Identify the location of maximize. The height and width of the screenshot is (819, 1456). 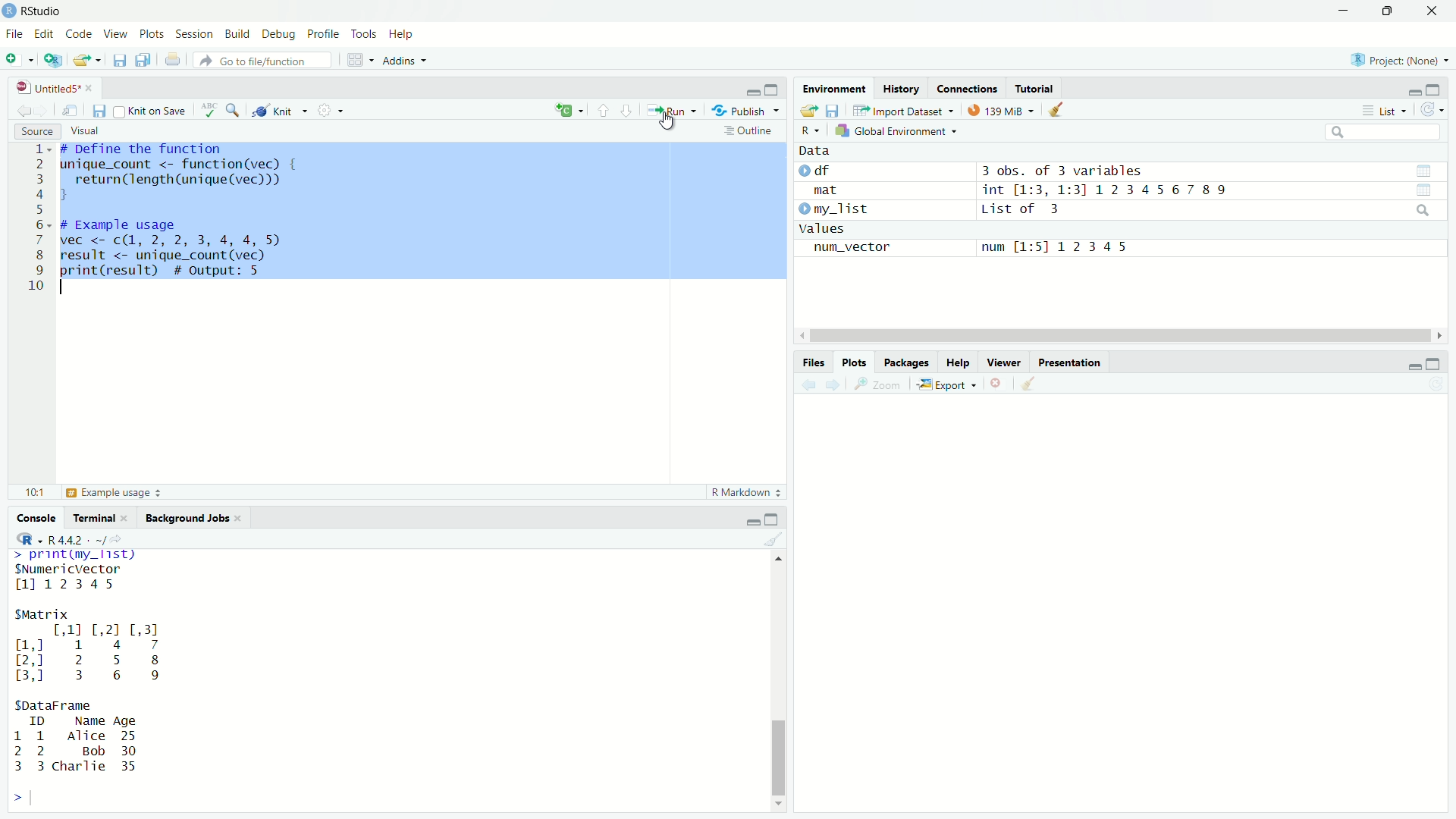
(1432, 364).